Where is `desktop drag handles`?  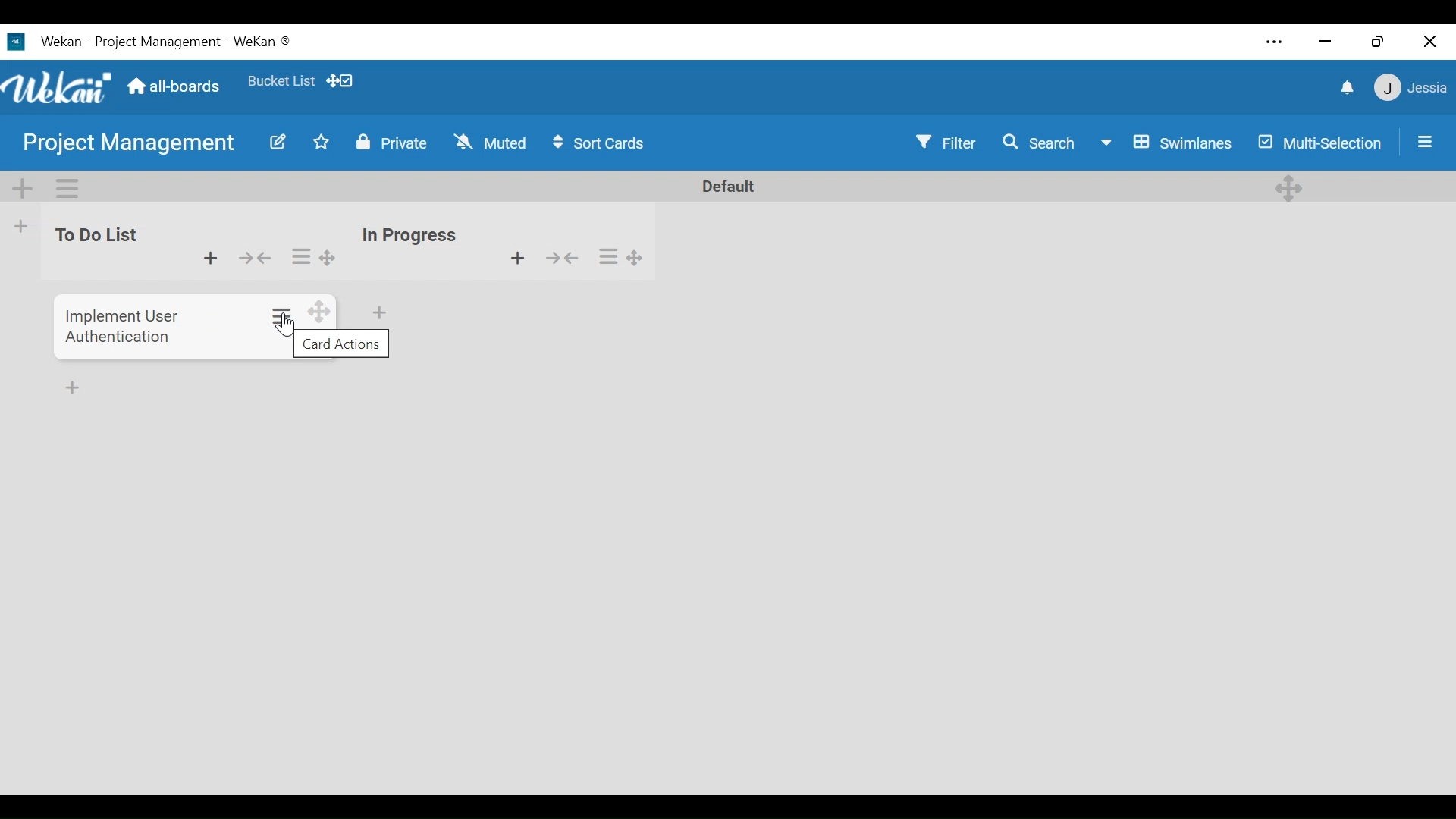
desktop drag handles is located at coordinates (328, 258).